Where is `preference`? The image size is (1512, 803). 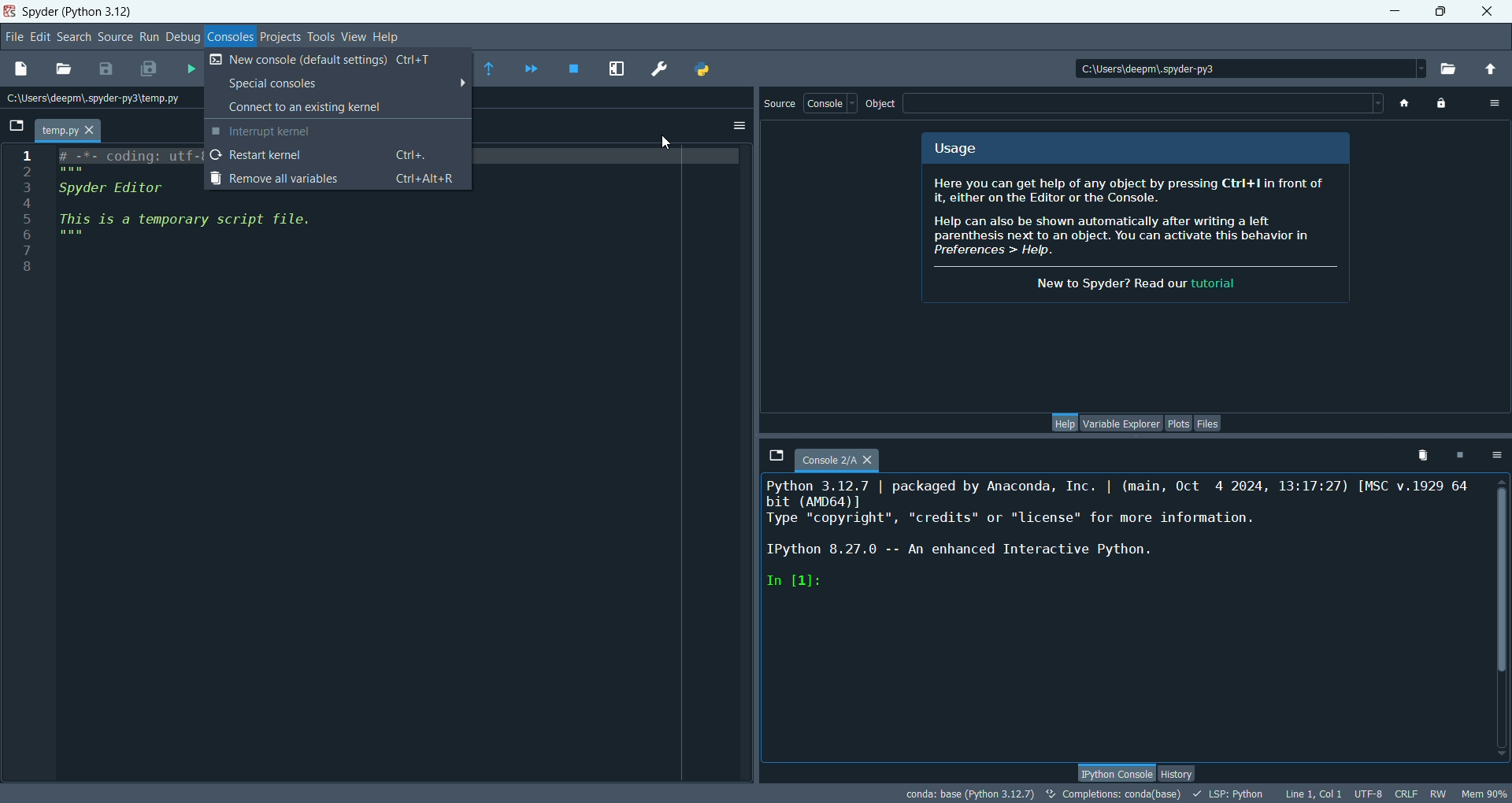
preference is located at coordinates (656, 68).